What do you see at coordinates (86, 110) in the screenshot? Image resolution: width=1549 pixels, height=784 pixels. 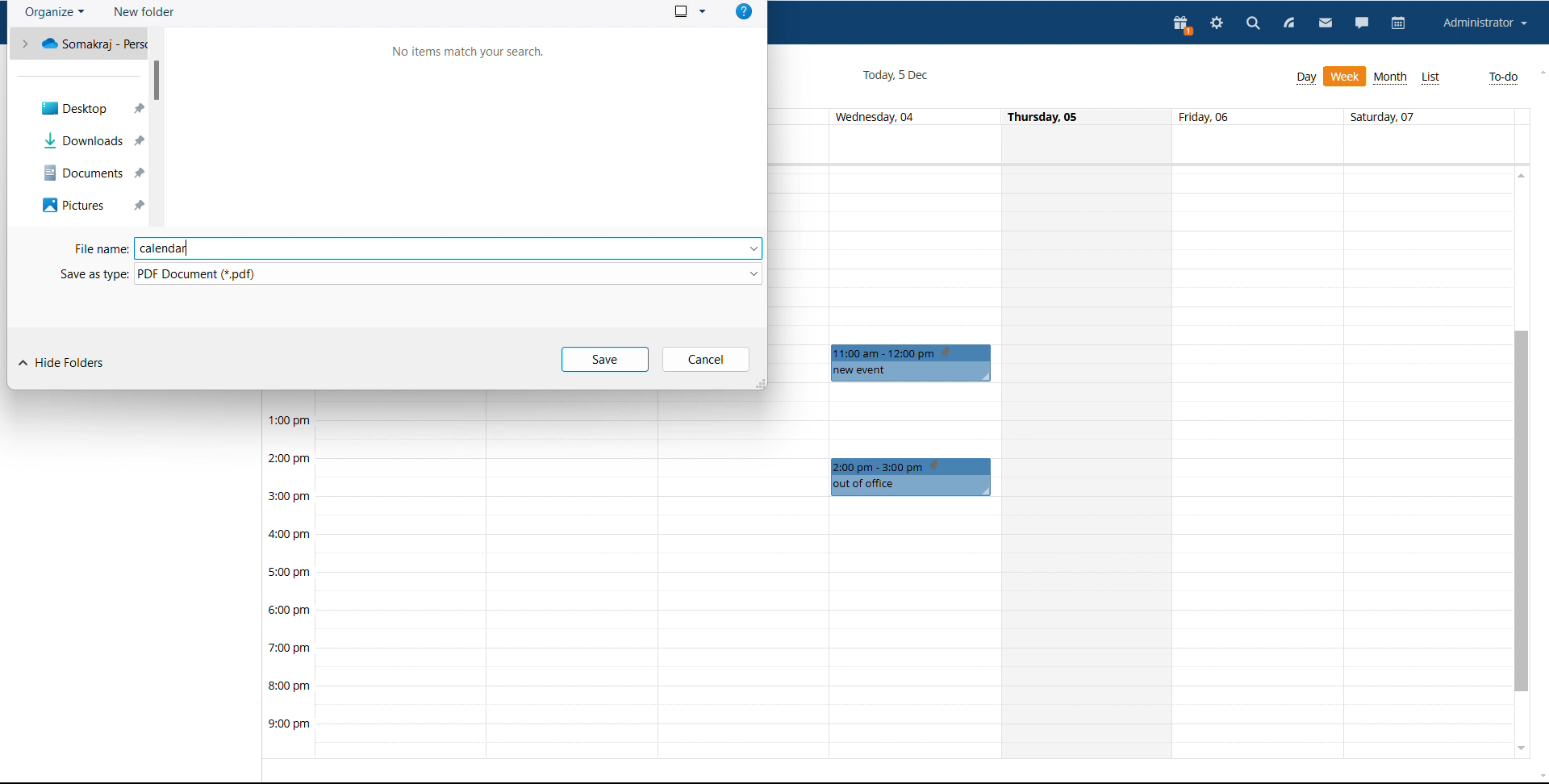 I see `` at bounding box center [86, 110].